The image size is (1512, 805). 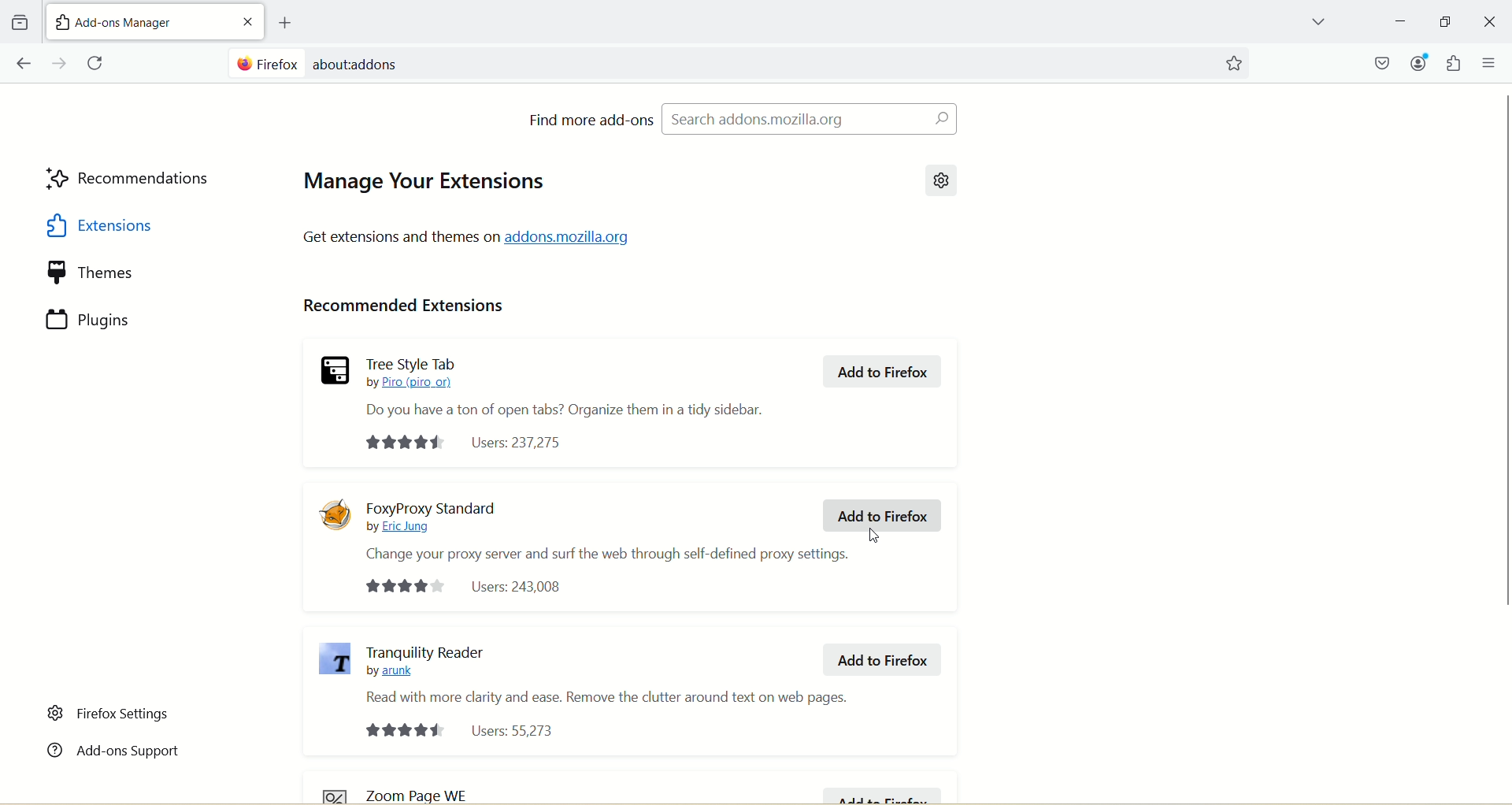 What do you see at coordinates (335, 369) in the screenshot?
I see `Tree style logo` at bounding box center [335, 369].